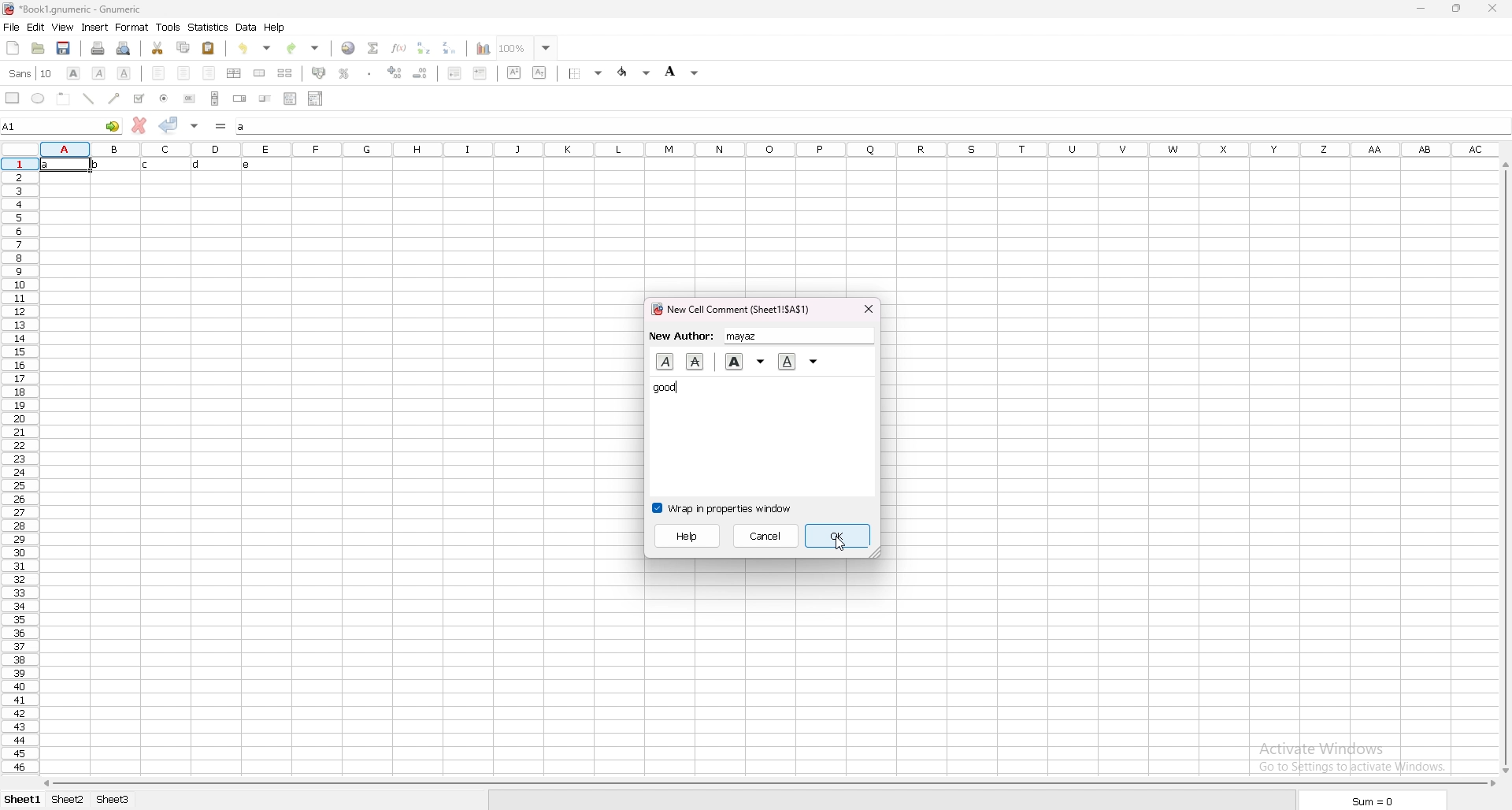 The image size is (1512, 810). I want to click on resize, so click(1455, 9).